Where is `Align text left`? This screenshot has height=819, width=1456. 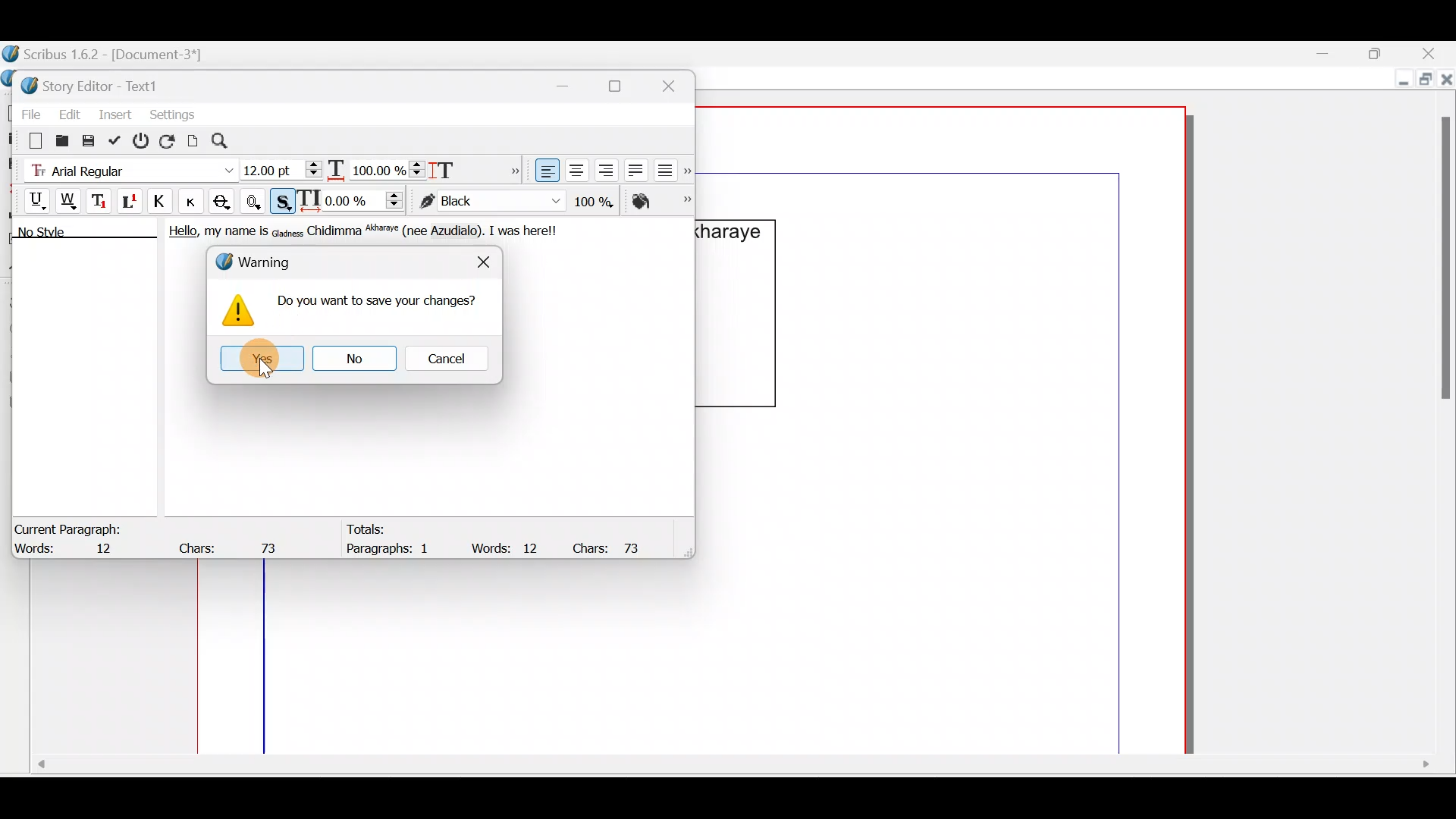 Align text left is located at coordinates (545, 171).